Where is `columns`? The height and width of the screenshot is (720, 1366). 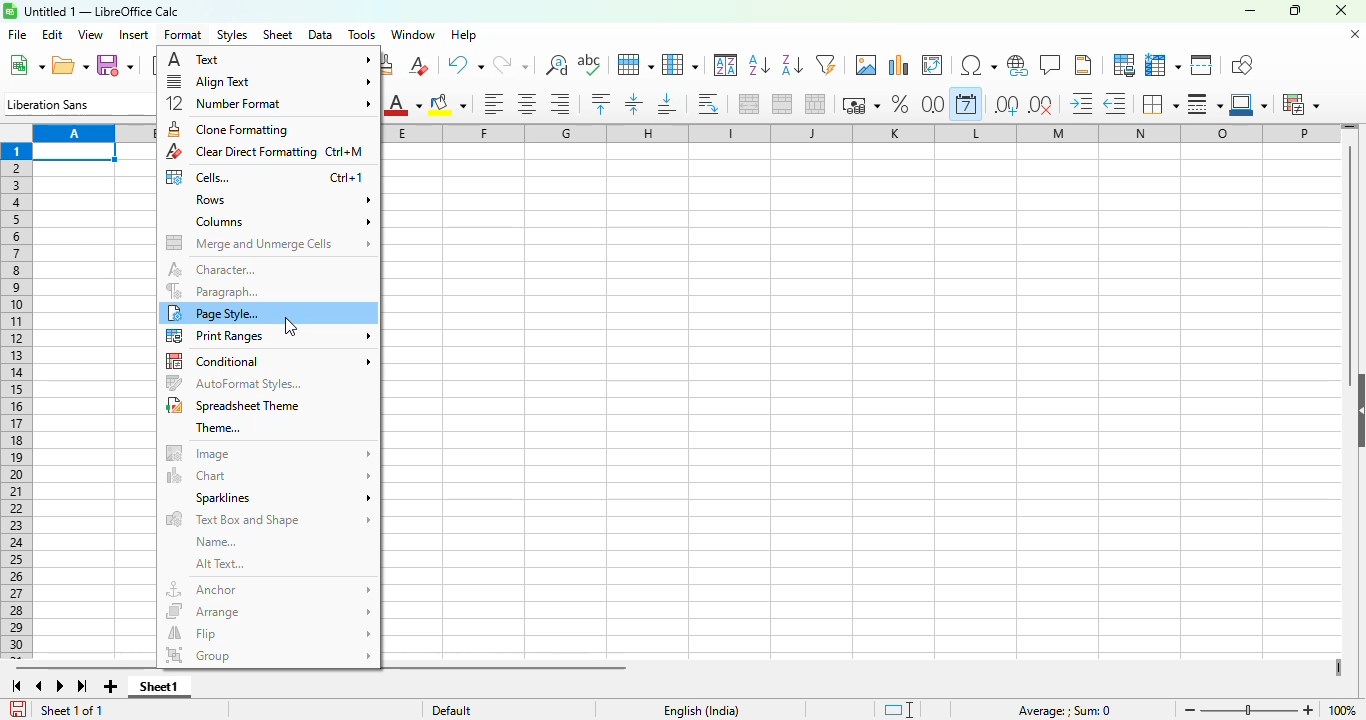
columns is located at coordinates (863, 134).